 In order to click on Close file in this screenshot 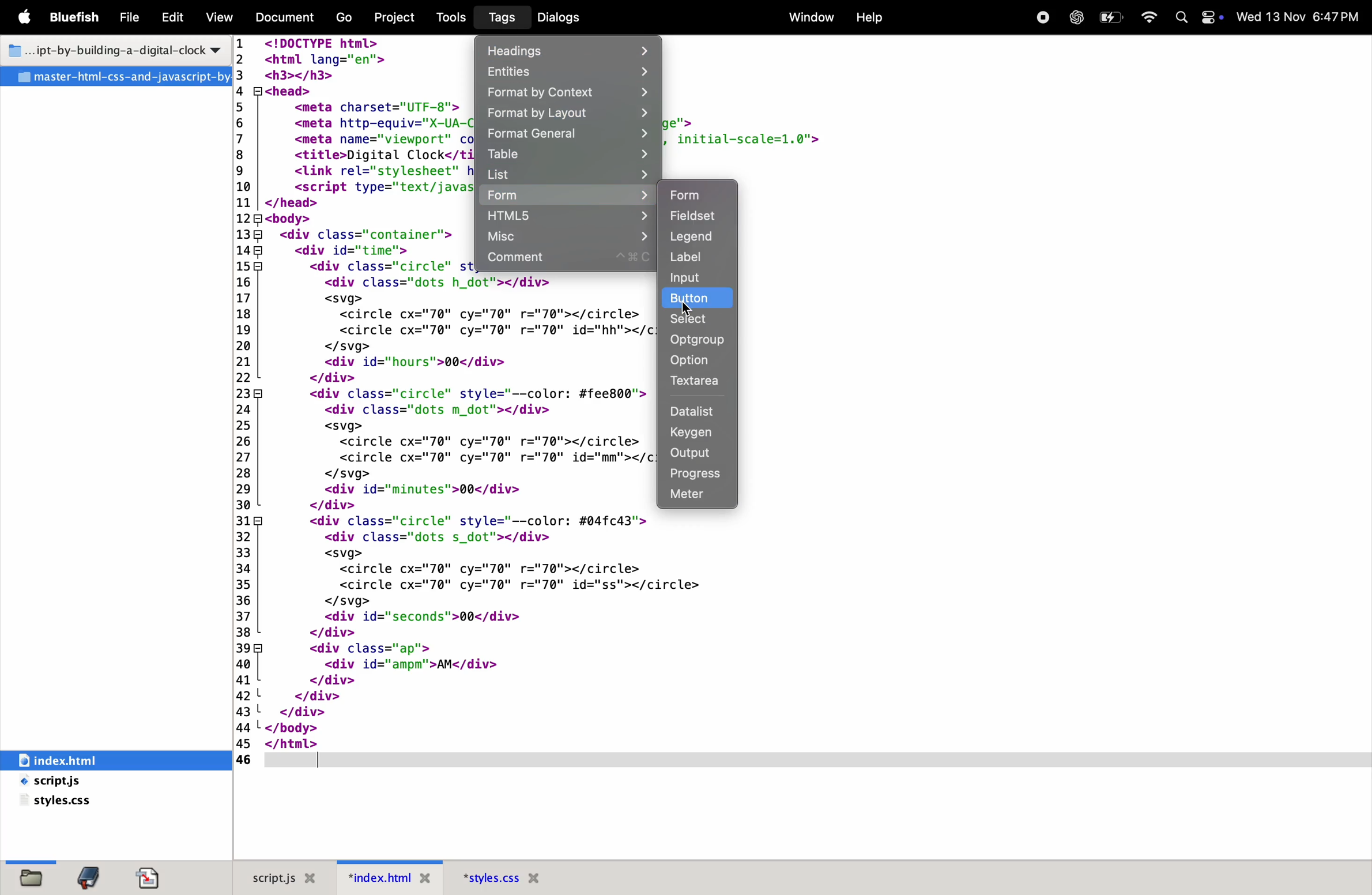, I will do `click(314, 878)`.